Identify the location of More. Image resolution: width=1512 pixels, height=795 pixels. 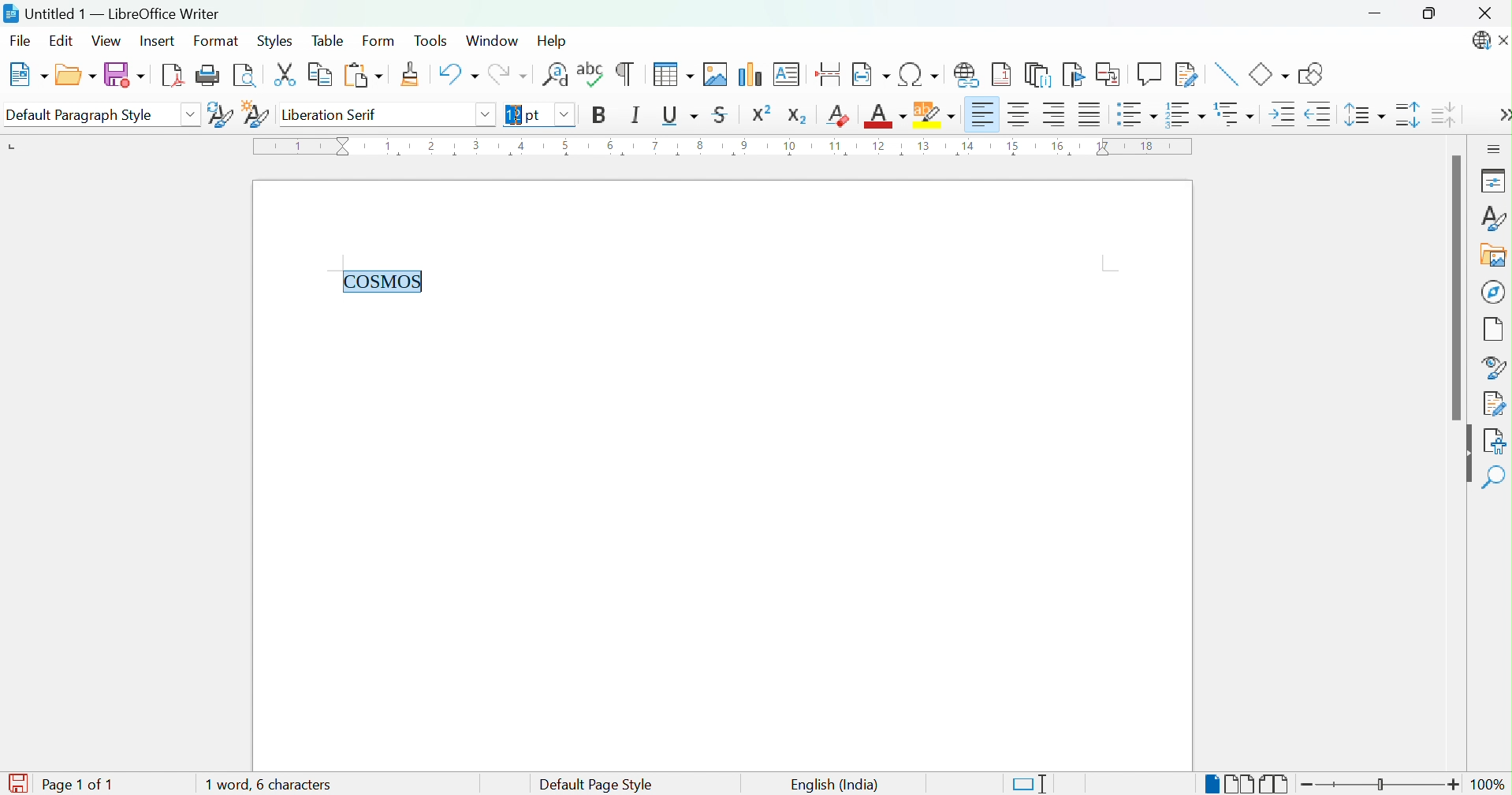
(1503, 117).